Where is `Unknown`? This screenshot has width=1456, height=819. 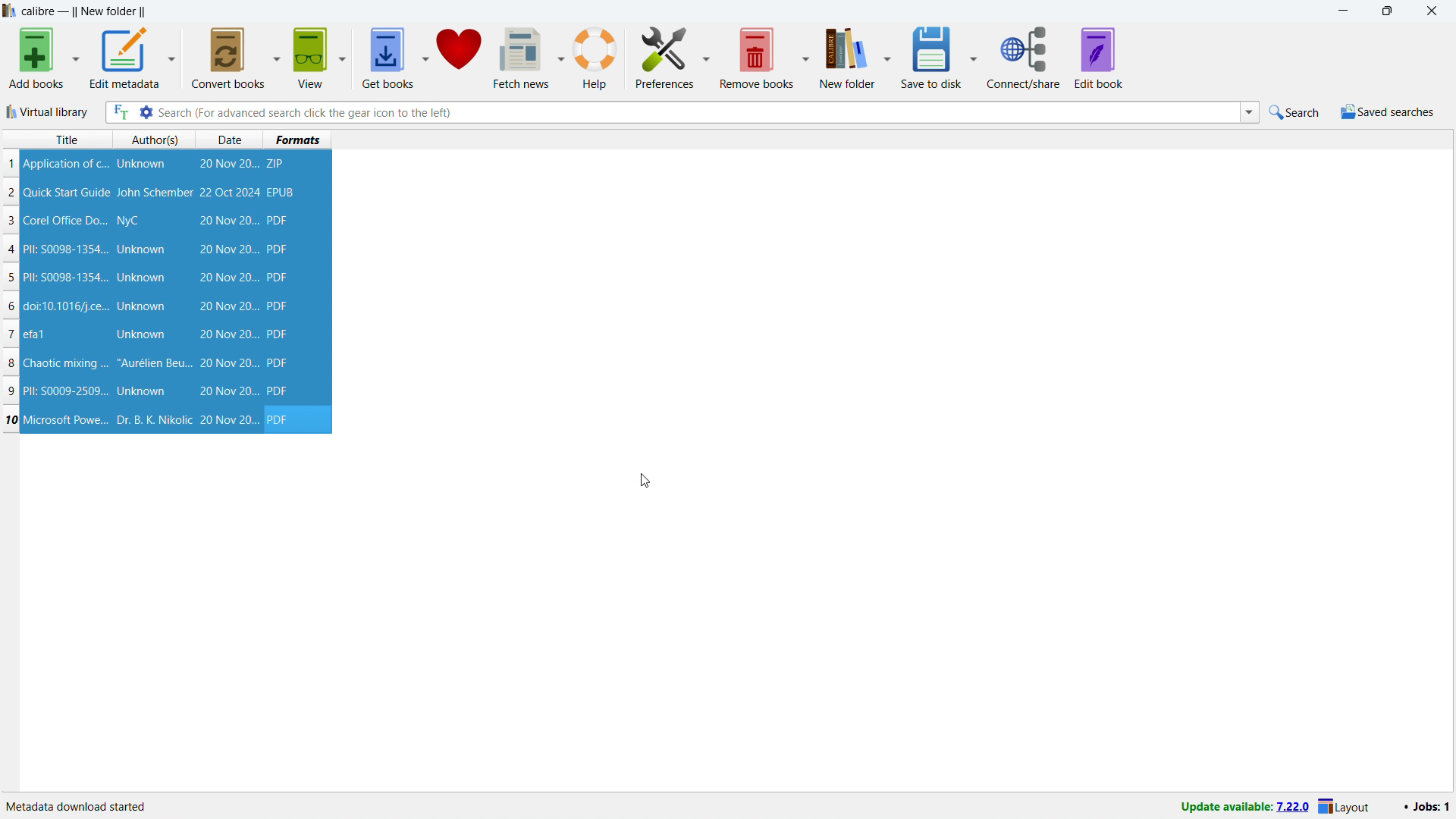
Unknown is located at coordinates (143, 306).